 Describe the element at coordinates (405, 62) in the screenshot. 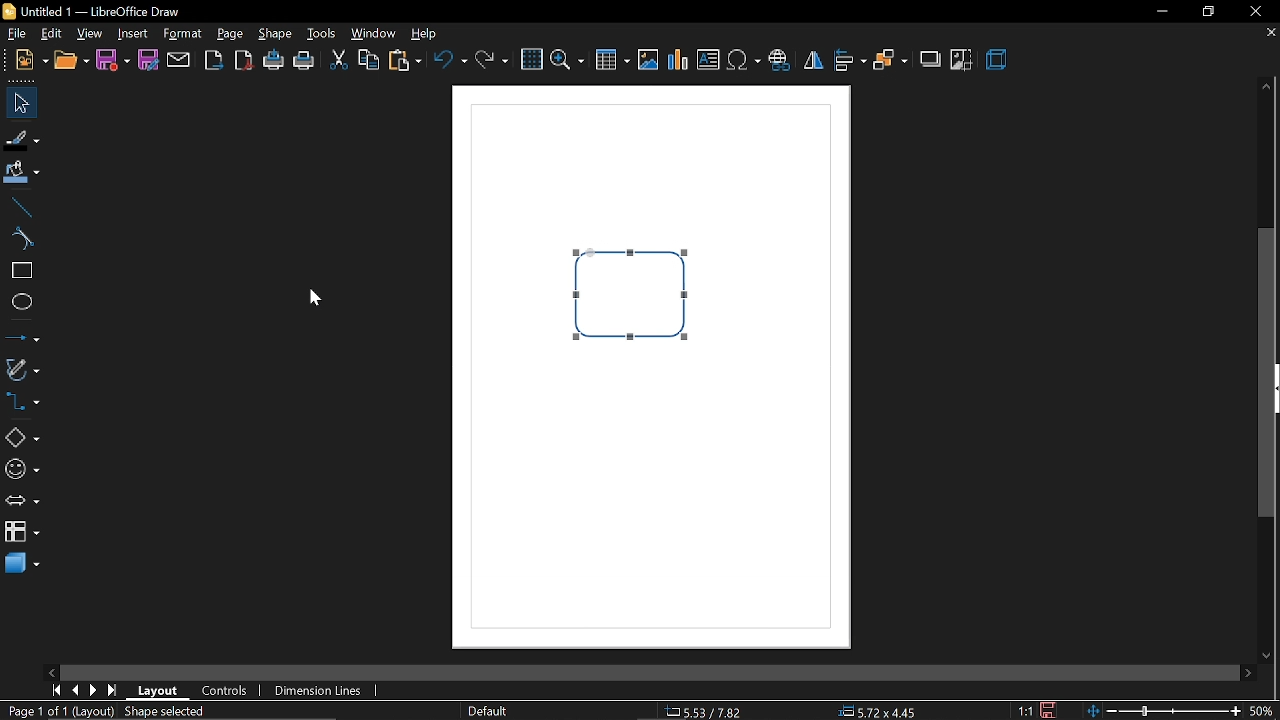

I see `paste` at that location.